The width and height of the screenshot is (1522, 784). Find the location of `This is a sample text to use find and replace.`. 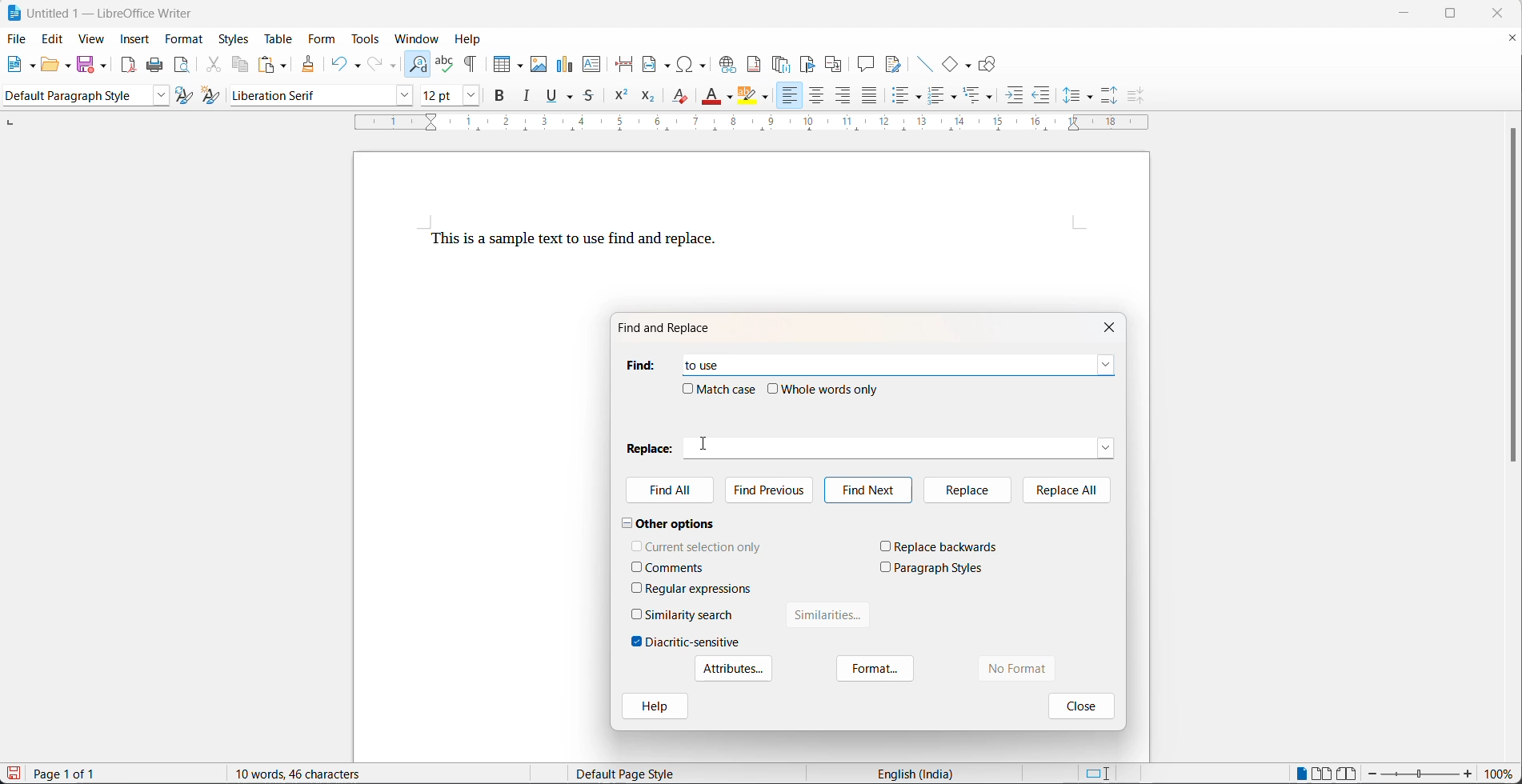

This is a sample text to use find and replace. is located at coordinates (574, 241).